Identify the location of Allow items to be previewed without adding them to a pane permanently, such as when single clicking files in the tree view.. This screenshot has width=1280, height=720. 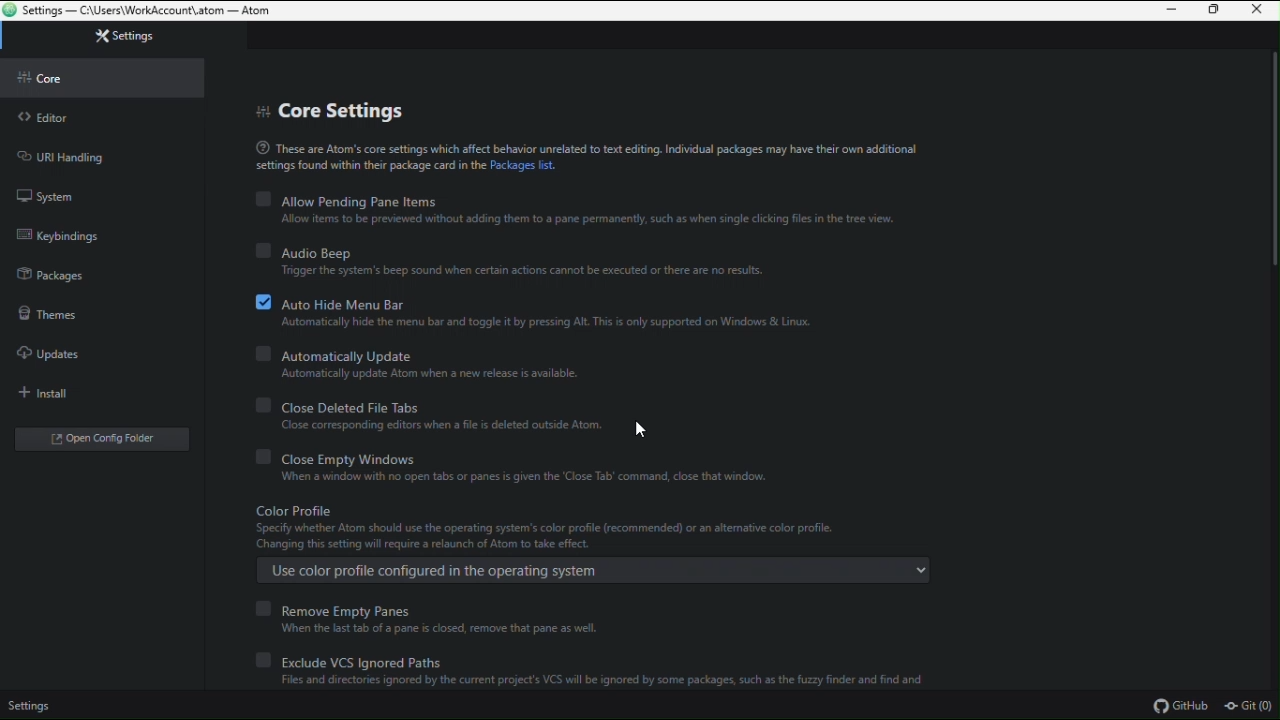
(580, 219).